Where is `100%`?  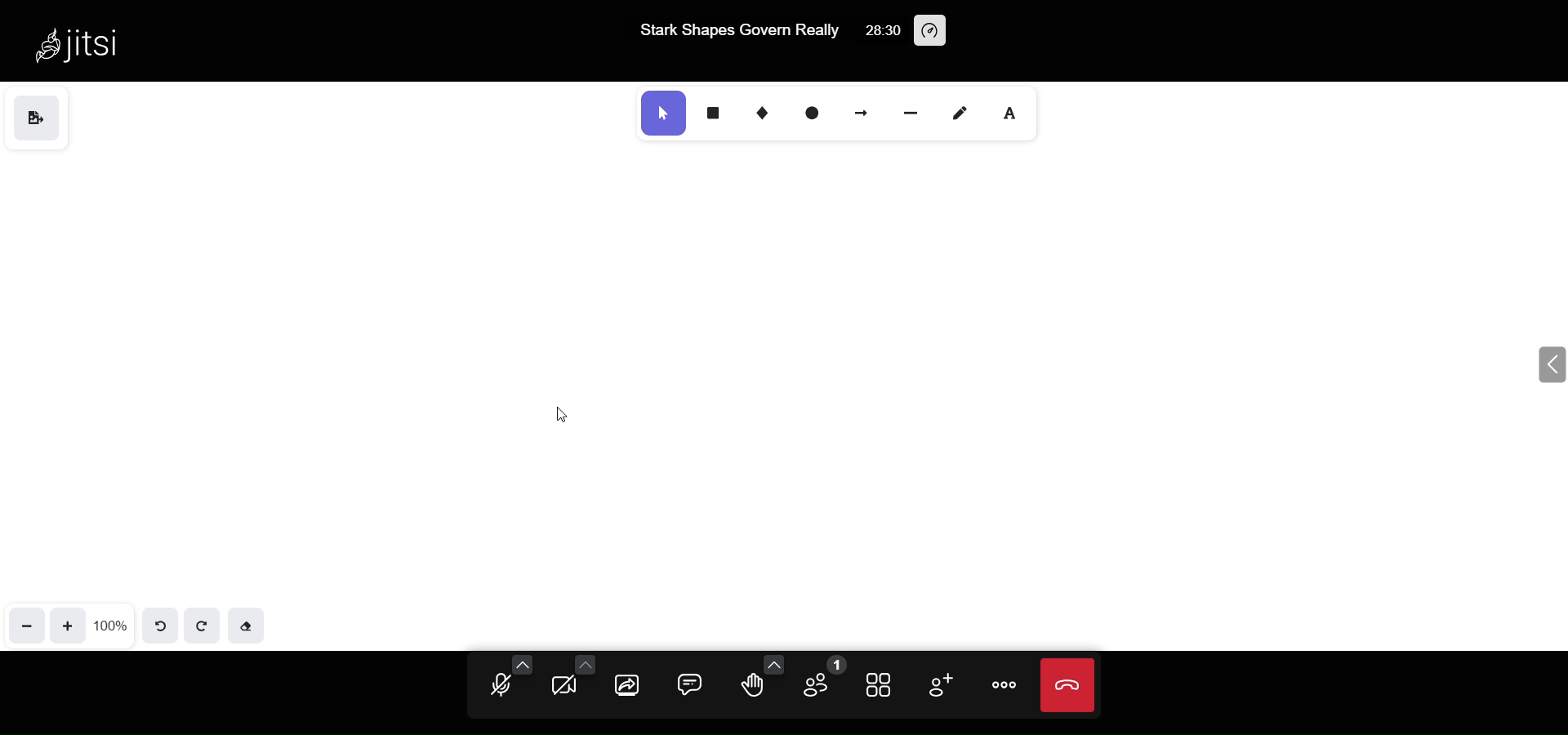 100% is located at coordinates (111, 625).